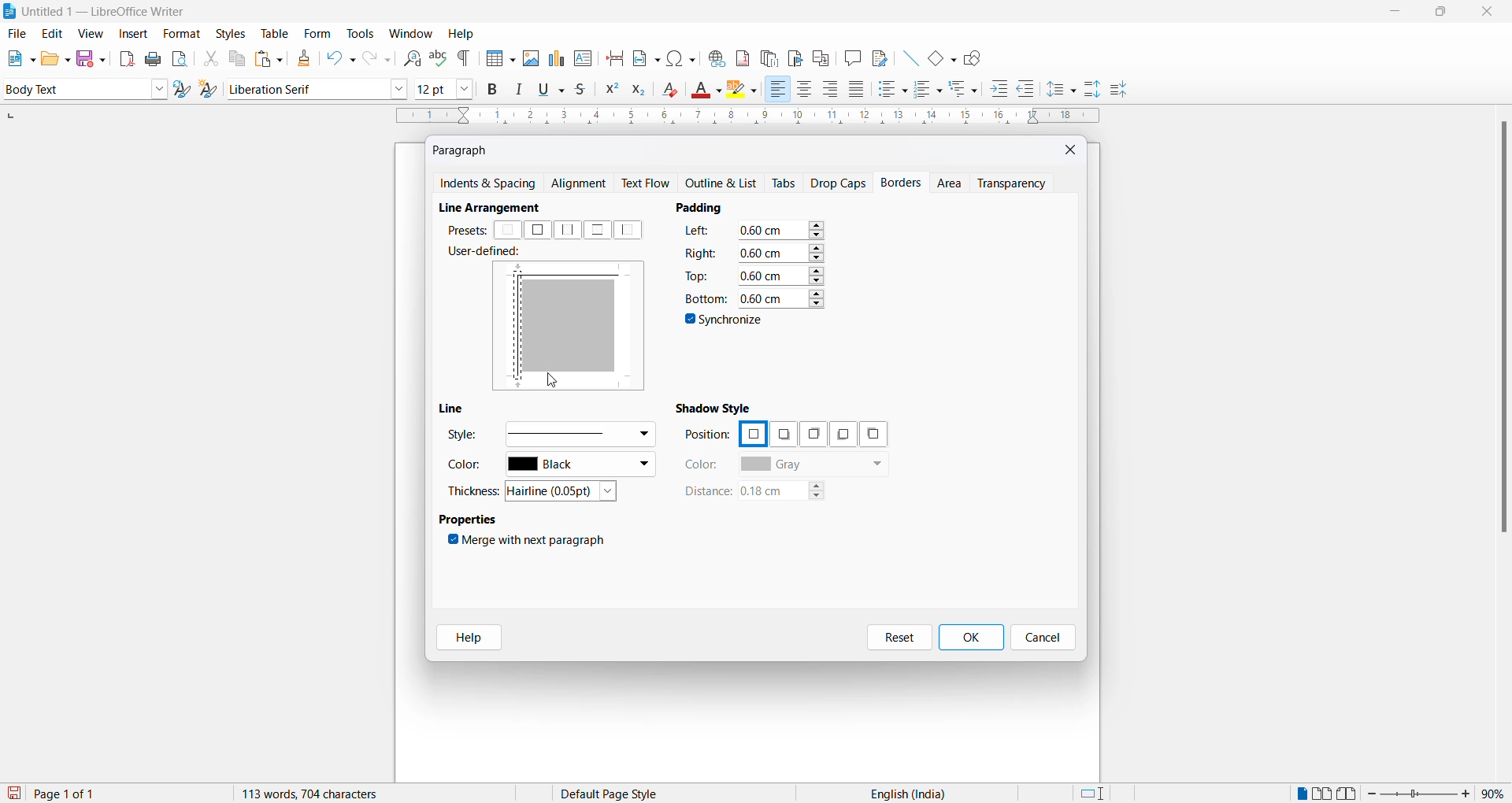 The image size is (1512, 803). I want to click on clone formatting, so click(301, 58).